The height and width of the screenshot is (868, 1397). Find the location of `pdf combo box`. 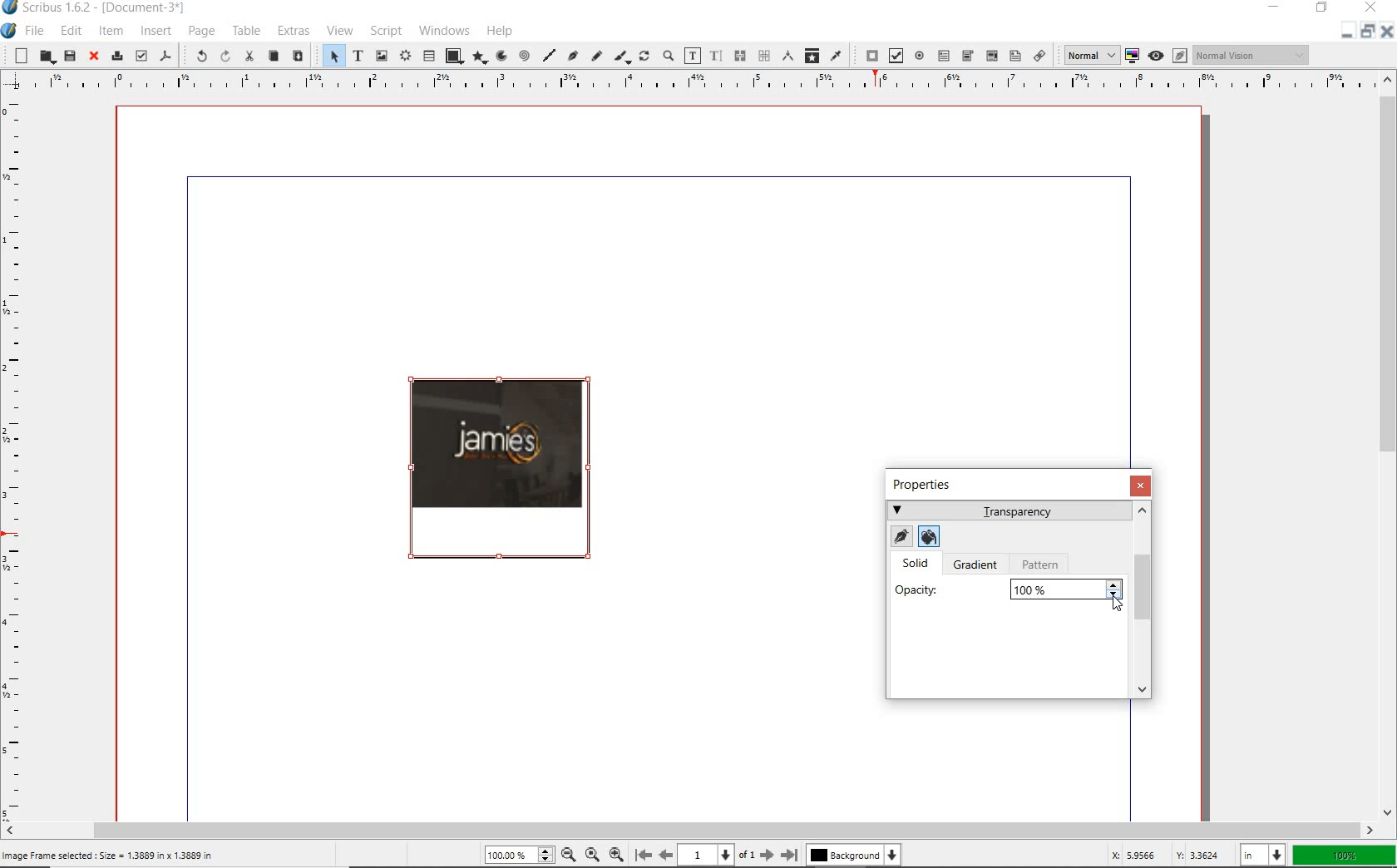

pdf combo box is located at coordinates (967, 56).